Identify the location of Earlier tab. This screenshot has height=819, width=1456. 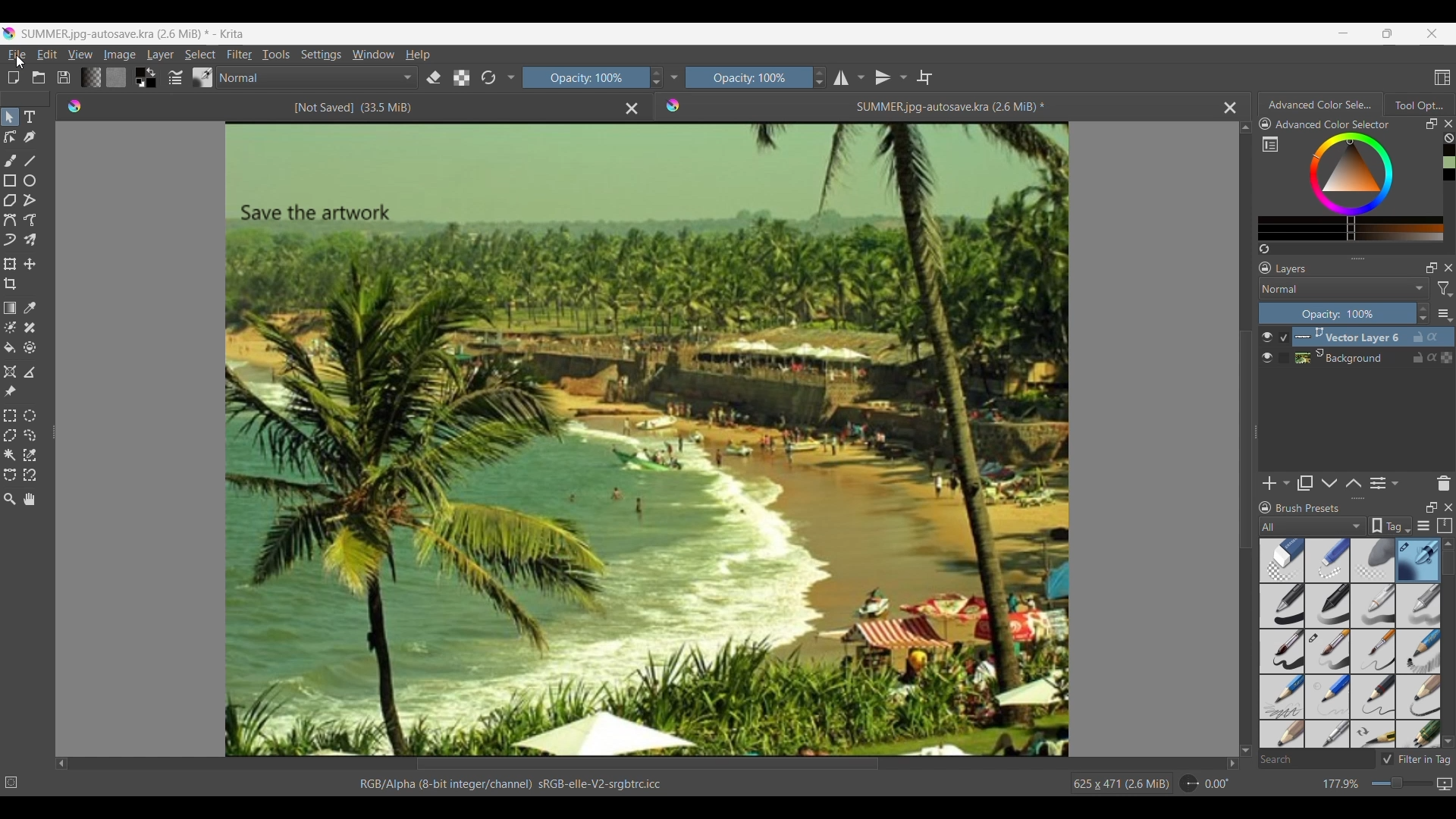
(340, 106).